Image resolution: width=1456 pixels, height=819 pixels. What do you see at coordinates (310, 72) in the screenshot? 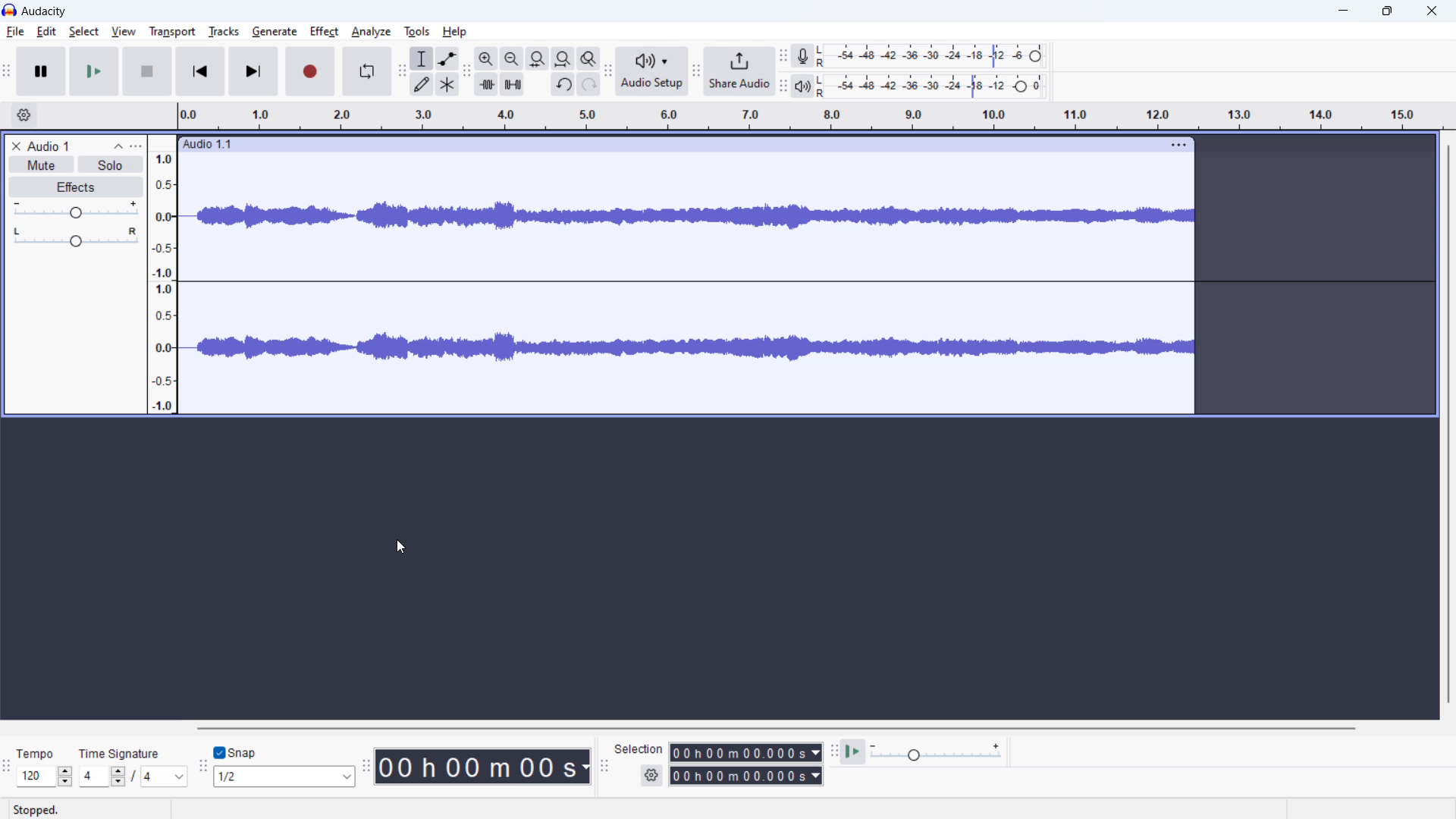
I see `record` at bounding box center [310, 72].